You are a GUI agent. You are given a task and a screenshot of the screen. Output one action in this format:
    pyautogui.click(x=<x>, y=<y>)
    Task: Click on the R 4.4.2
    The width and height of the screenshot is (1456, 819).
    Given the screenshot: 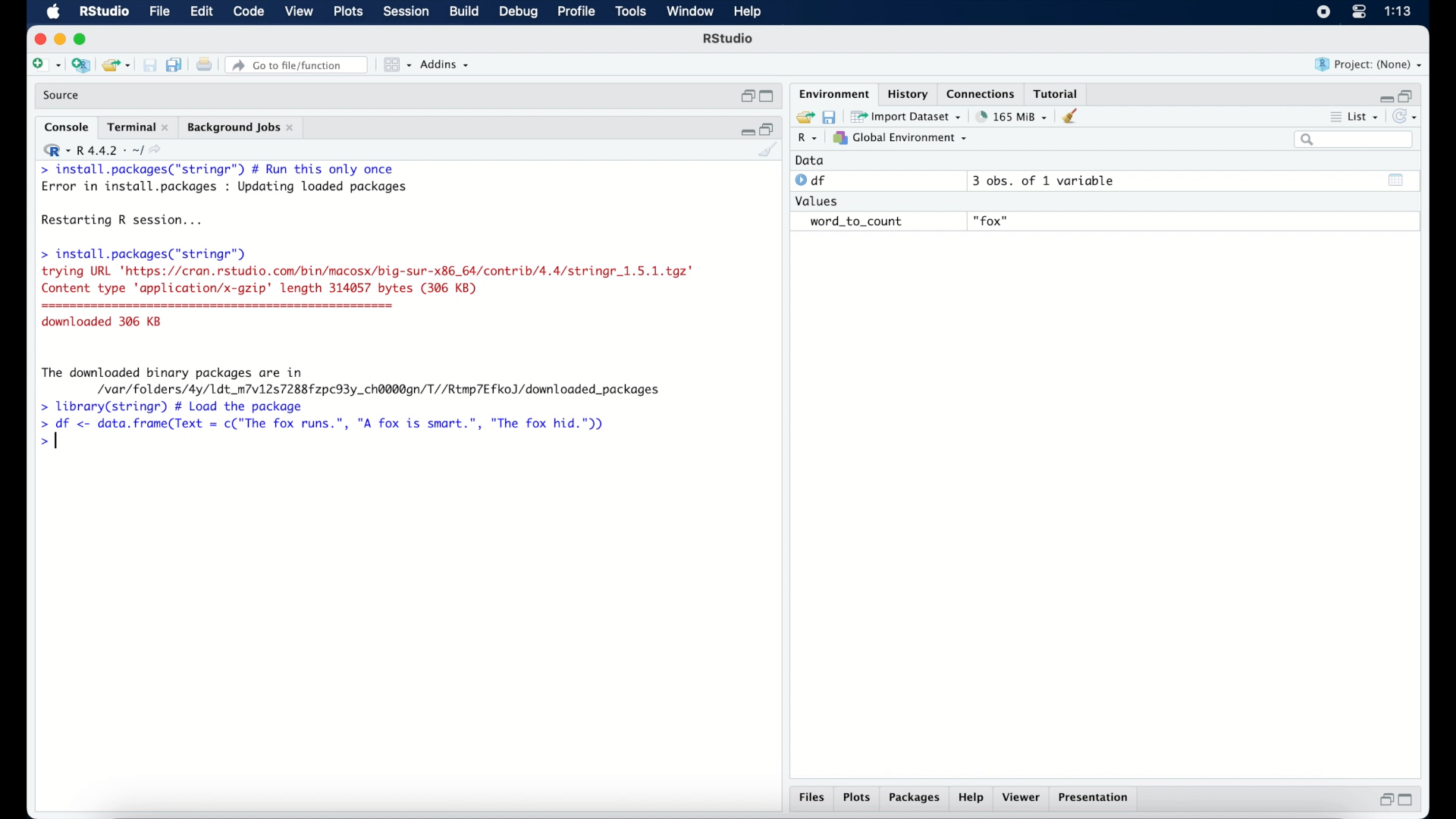 What is the action you would take?
    pyautogui.click(x=102, y=150)
    